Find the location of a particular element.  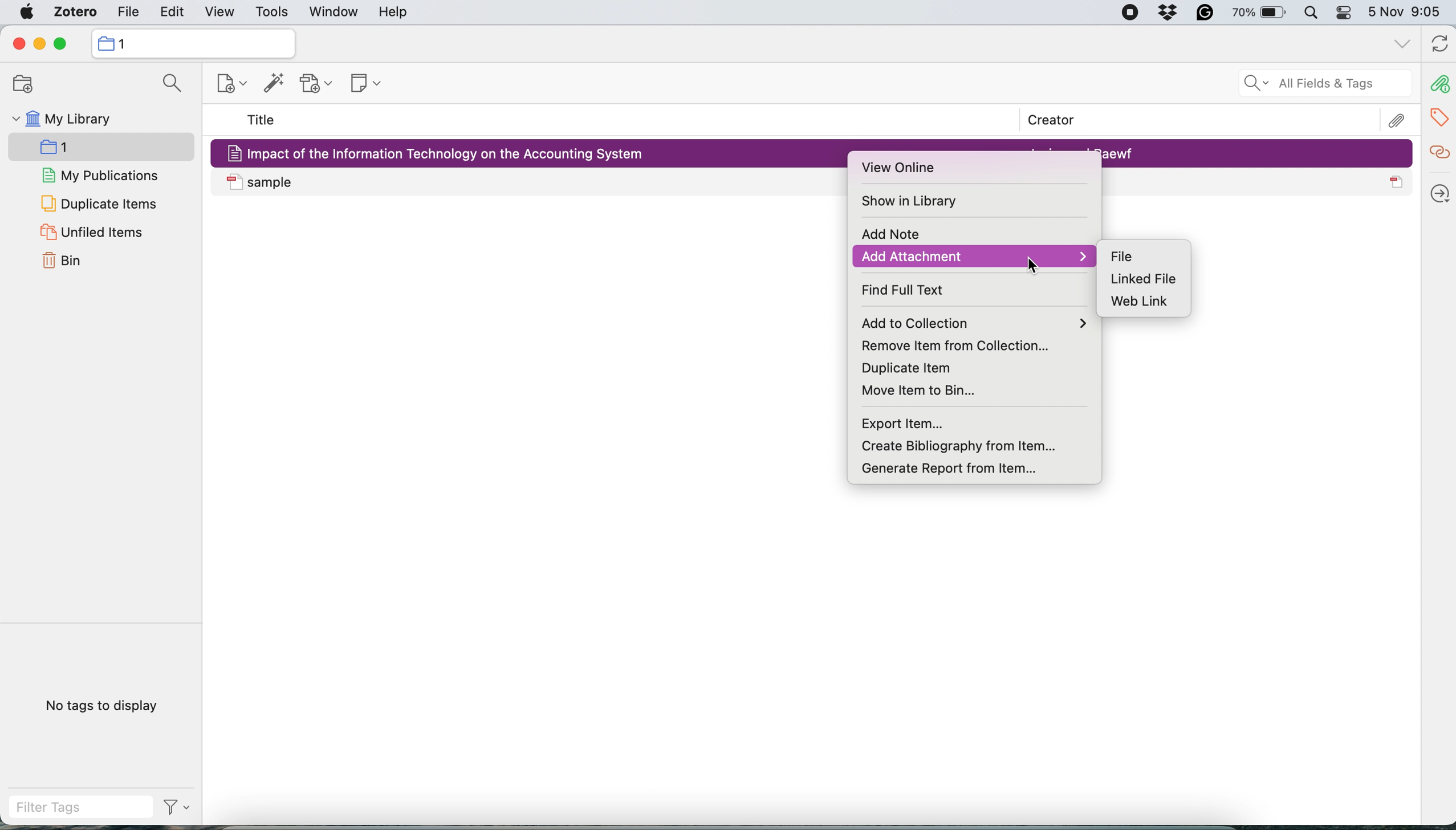

filter tags is located at coordinates (100, 807).